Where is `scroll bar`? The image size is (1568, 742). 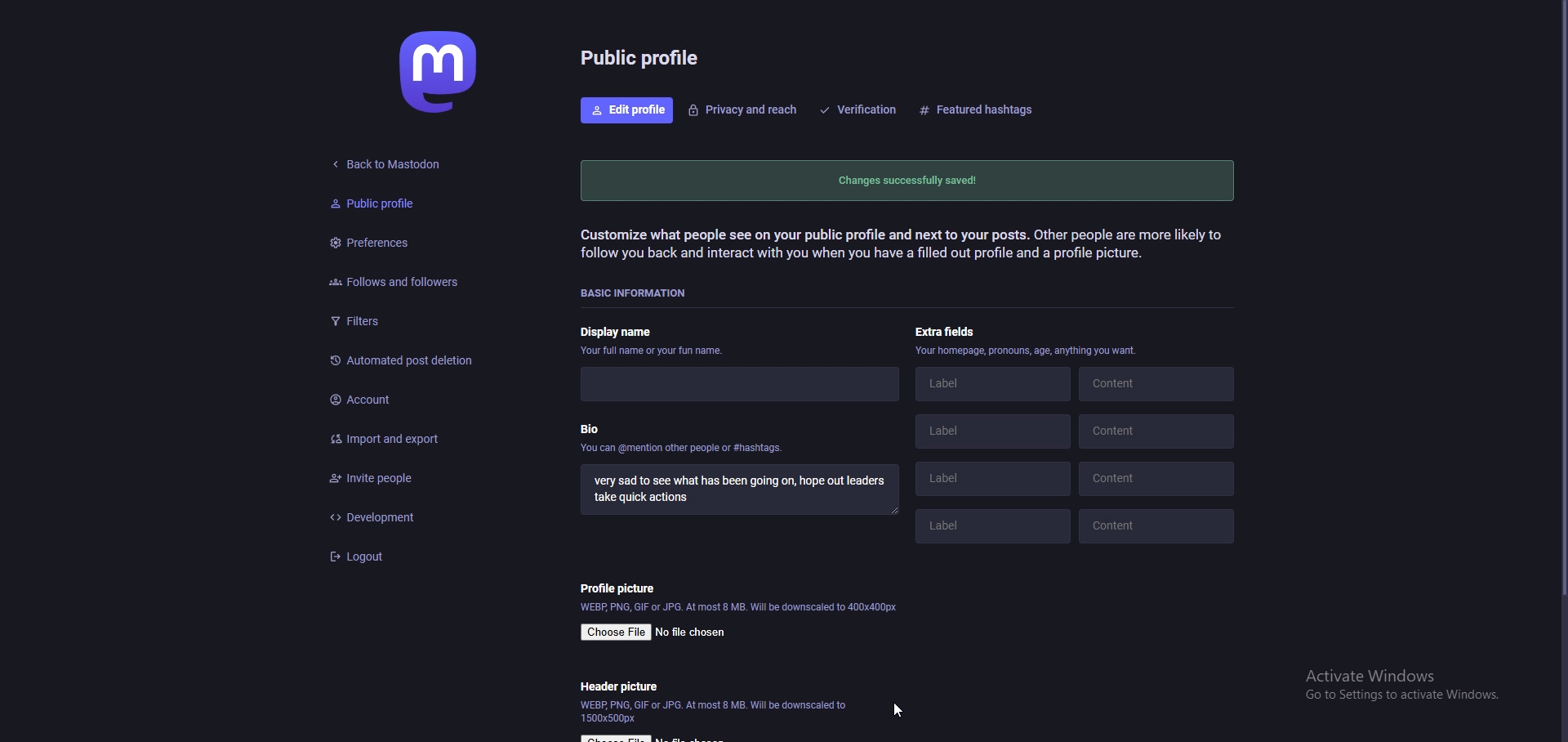
scroll bar is located at coordinates (1561, 324).